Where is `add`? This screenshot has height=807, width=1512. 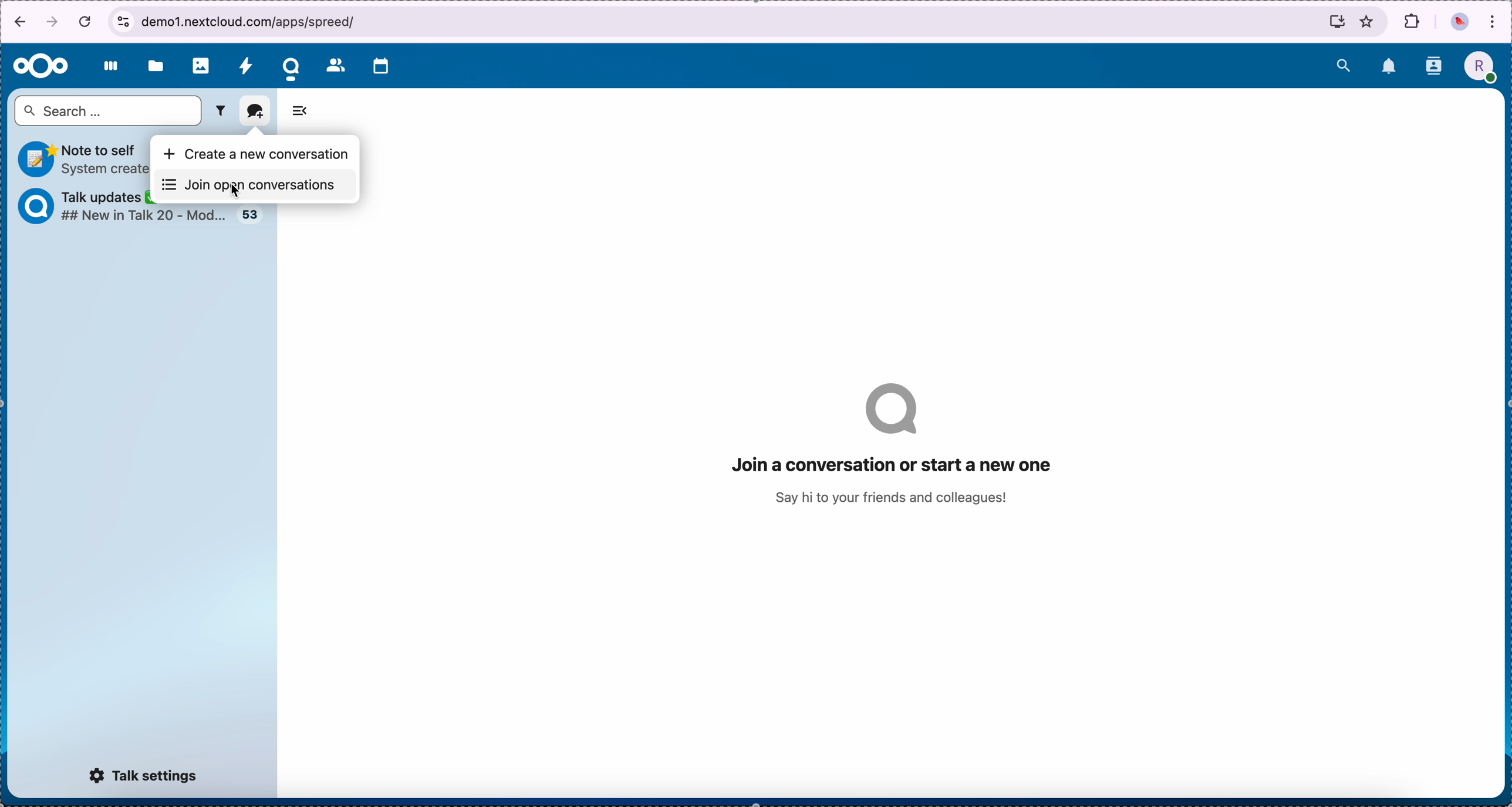 add is located at coordinates (254, 111).